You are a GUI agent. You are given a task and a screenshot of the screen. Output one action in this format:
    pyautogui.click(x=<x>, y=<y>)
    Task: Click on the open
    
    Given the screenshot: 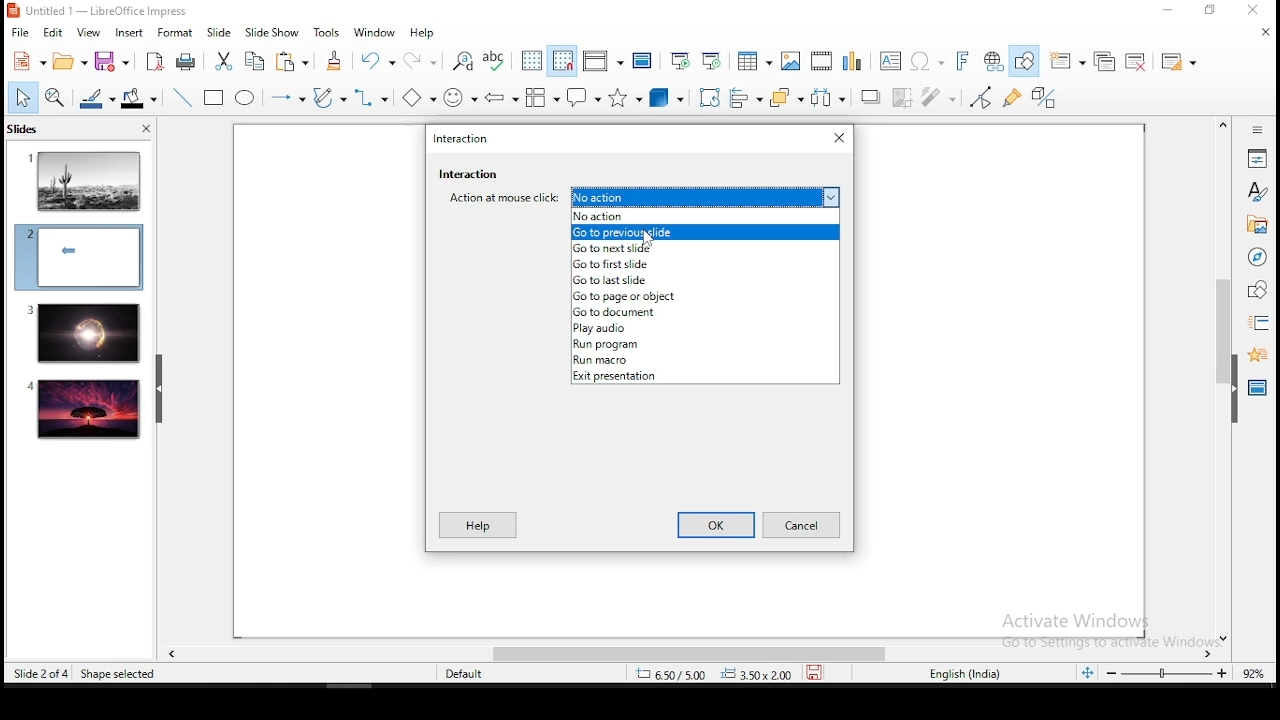 What is the action you would take?
    pyautogui.click(x=69, y=62)
    